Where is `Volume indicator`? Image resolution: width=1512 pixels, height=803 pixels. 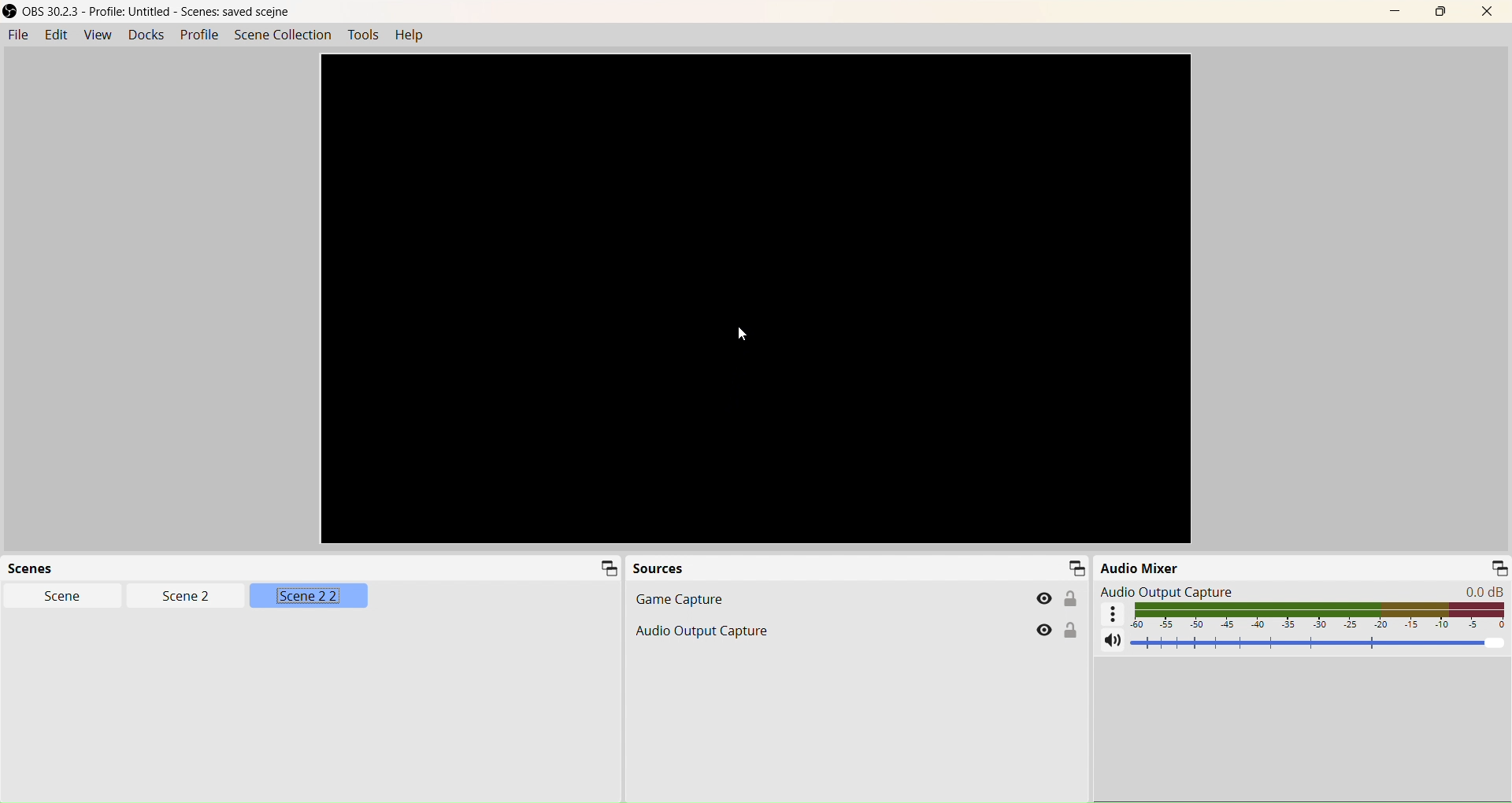
Volume indicator is located at coordinates (1321, 615).